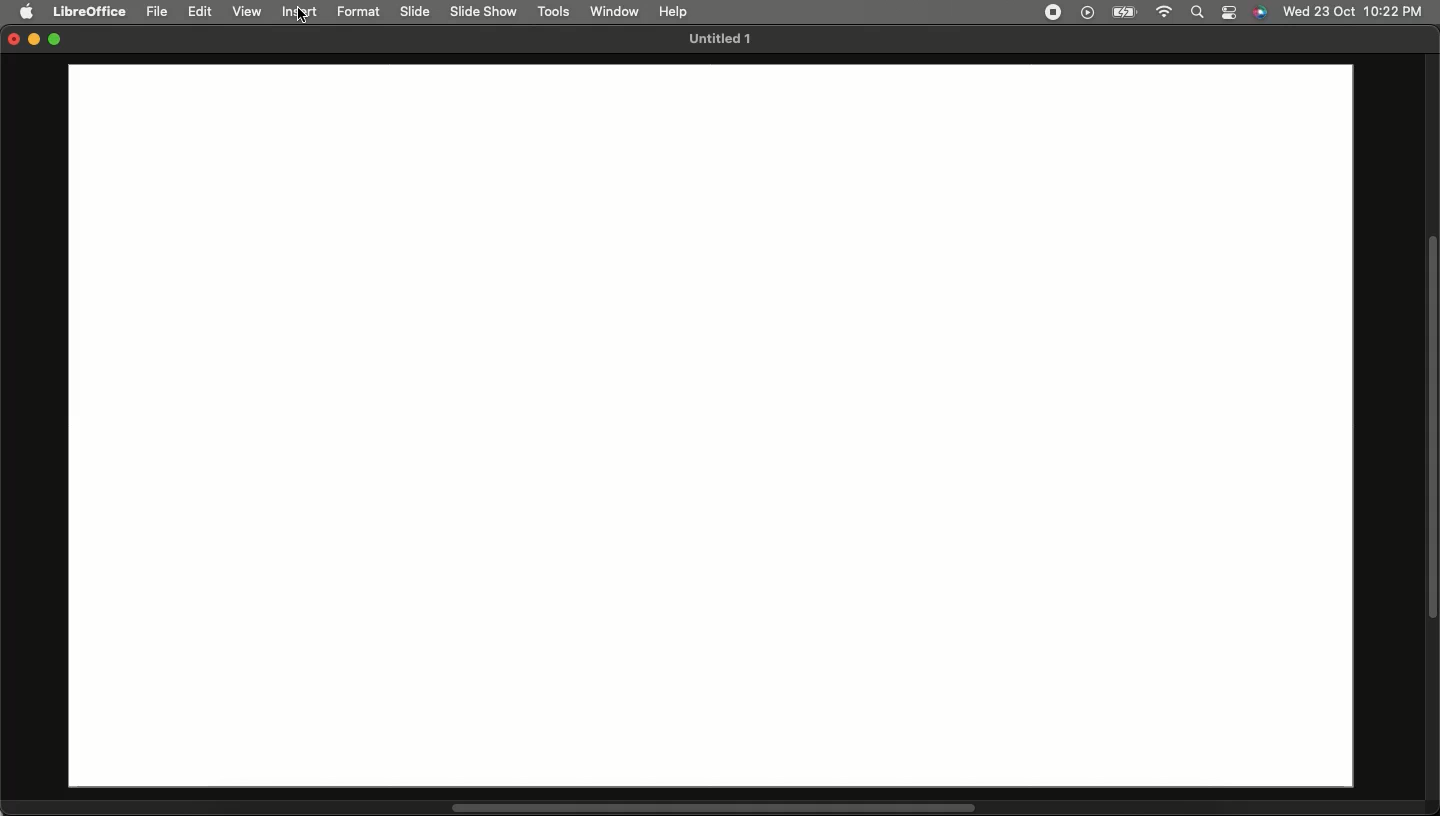 The height and width of the screenshot is (816, 1440). Describe the element at coordinates (1085, 13) in the screenshot. I see `Video player` at that location.